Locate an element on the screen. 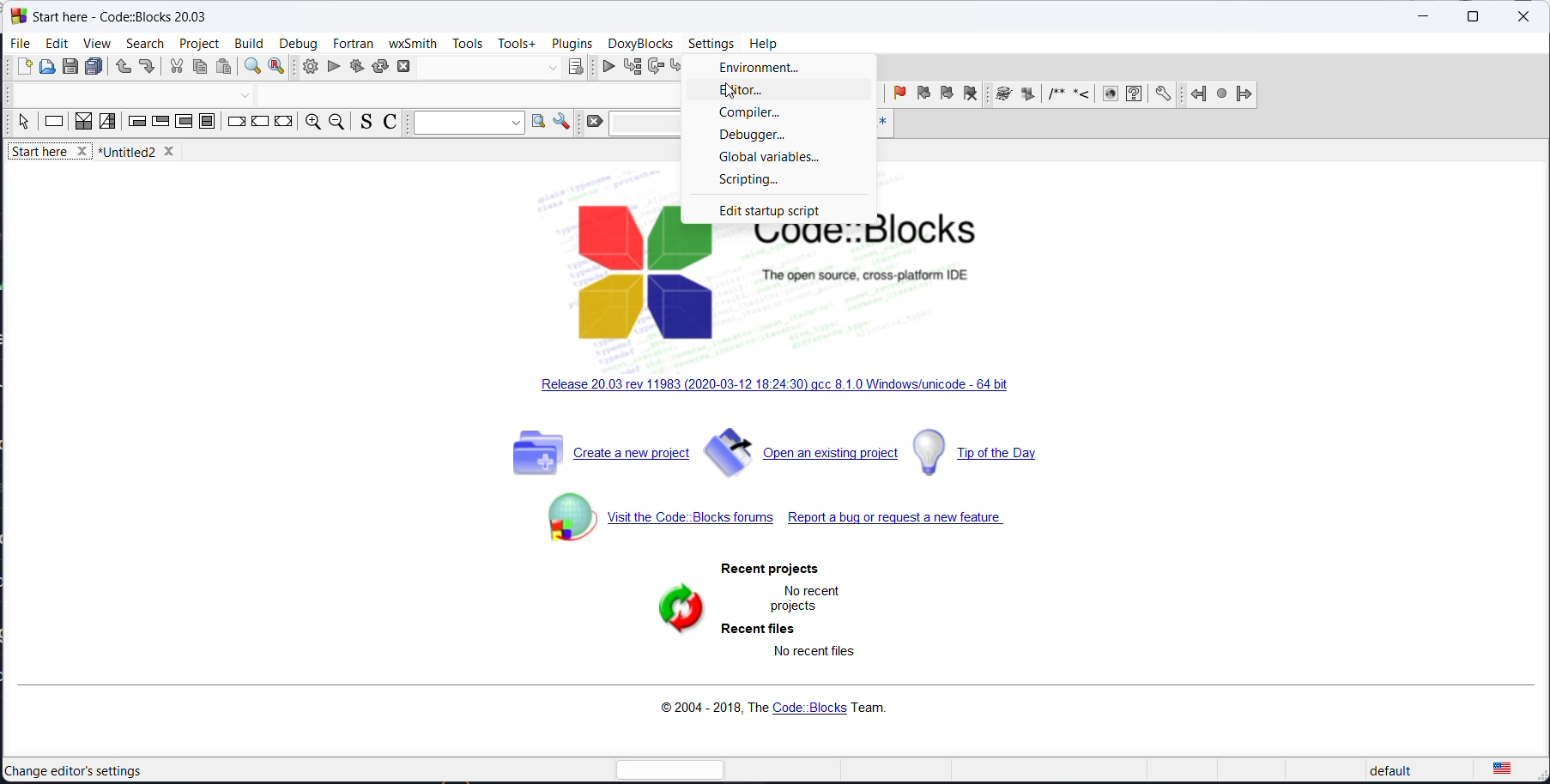 The image size is (1550, 784). selection is located at coordinates (108, 123).